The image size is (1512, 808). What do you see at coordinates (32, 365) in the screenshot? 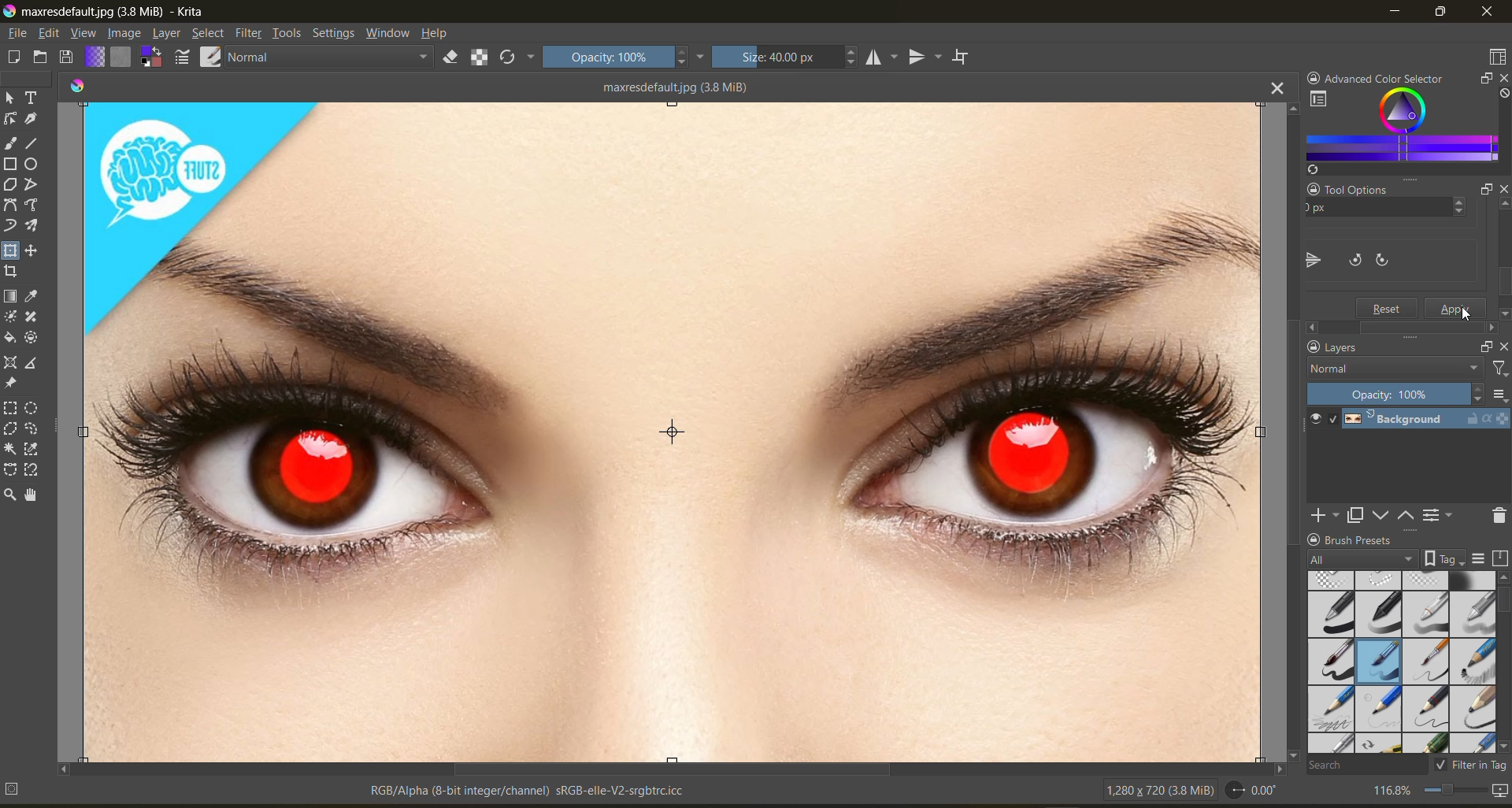
I see `tool` at bounding box center [32, 365].